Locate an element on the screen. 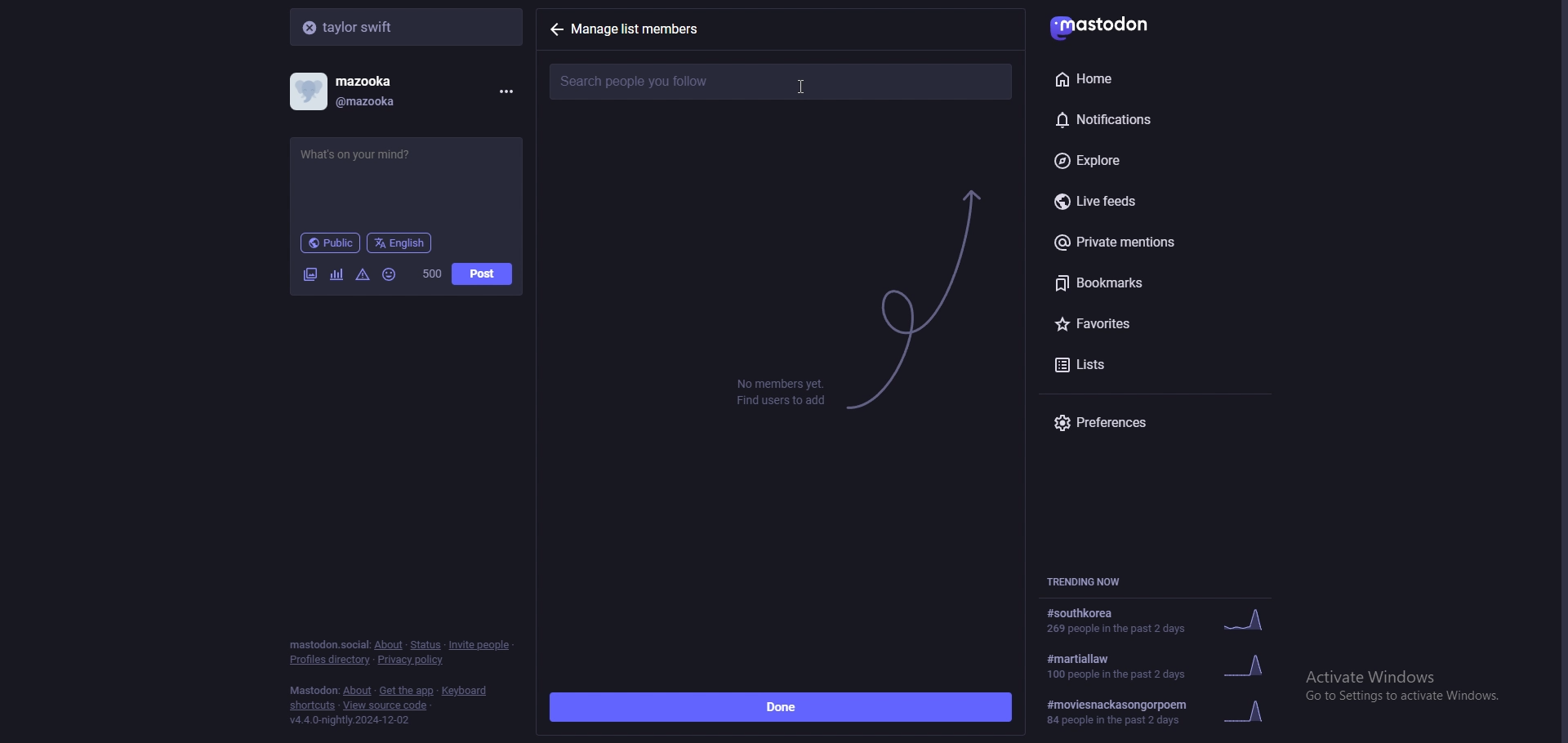 Image resolution: width=1568 pixels, height=743 pixels. view source code is located at coordinates (385, 706).